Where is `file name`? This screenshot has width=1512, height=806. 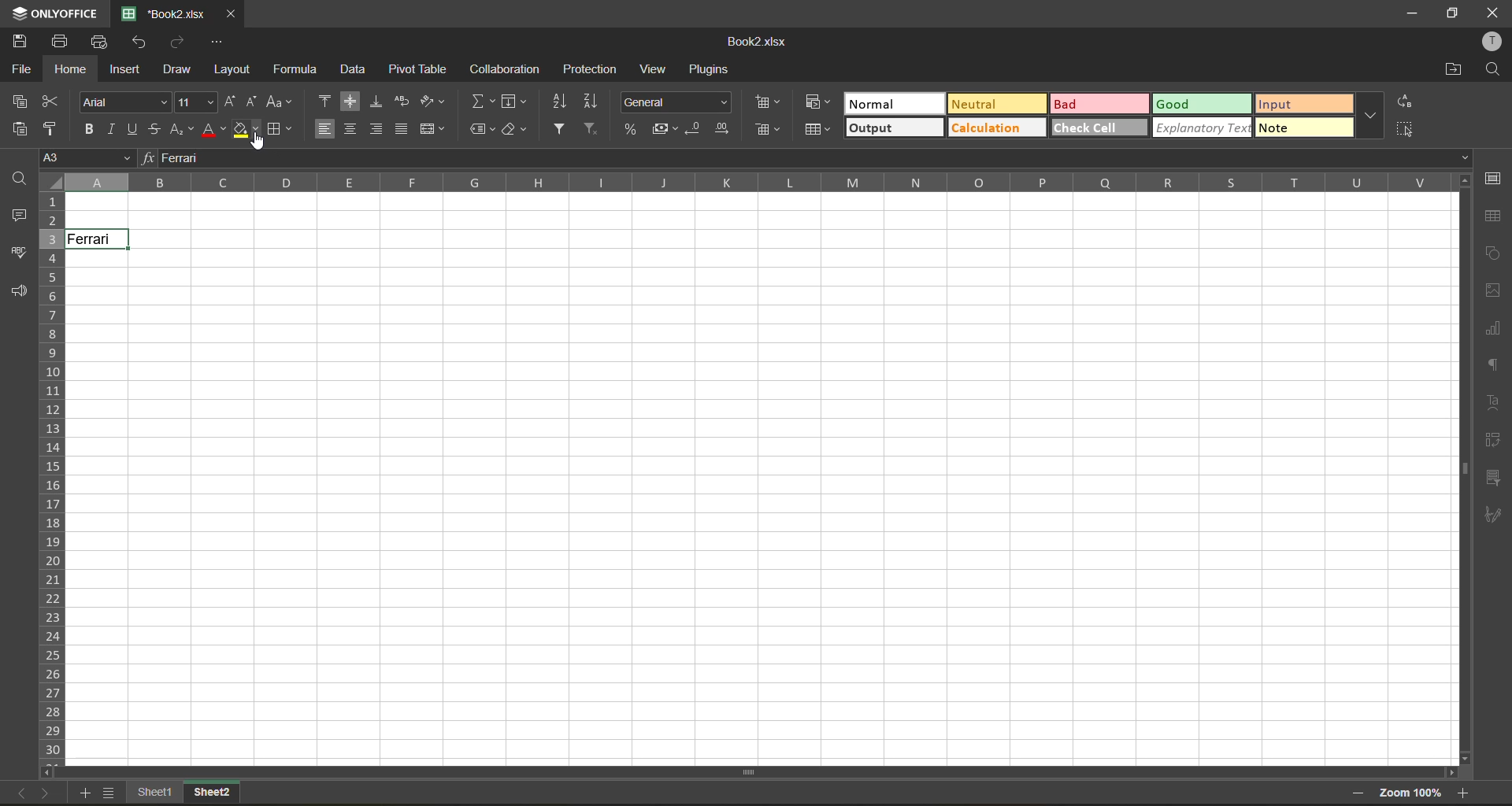
file name is located at coordinates (161, 12).